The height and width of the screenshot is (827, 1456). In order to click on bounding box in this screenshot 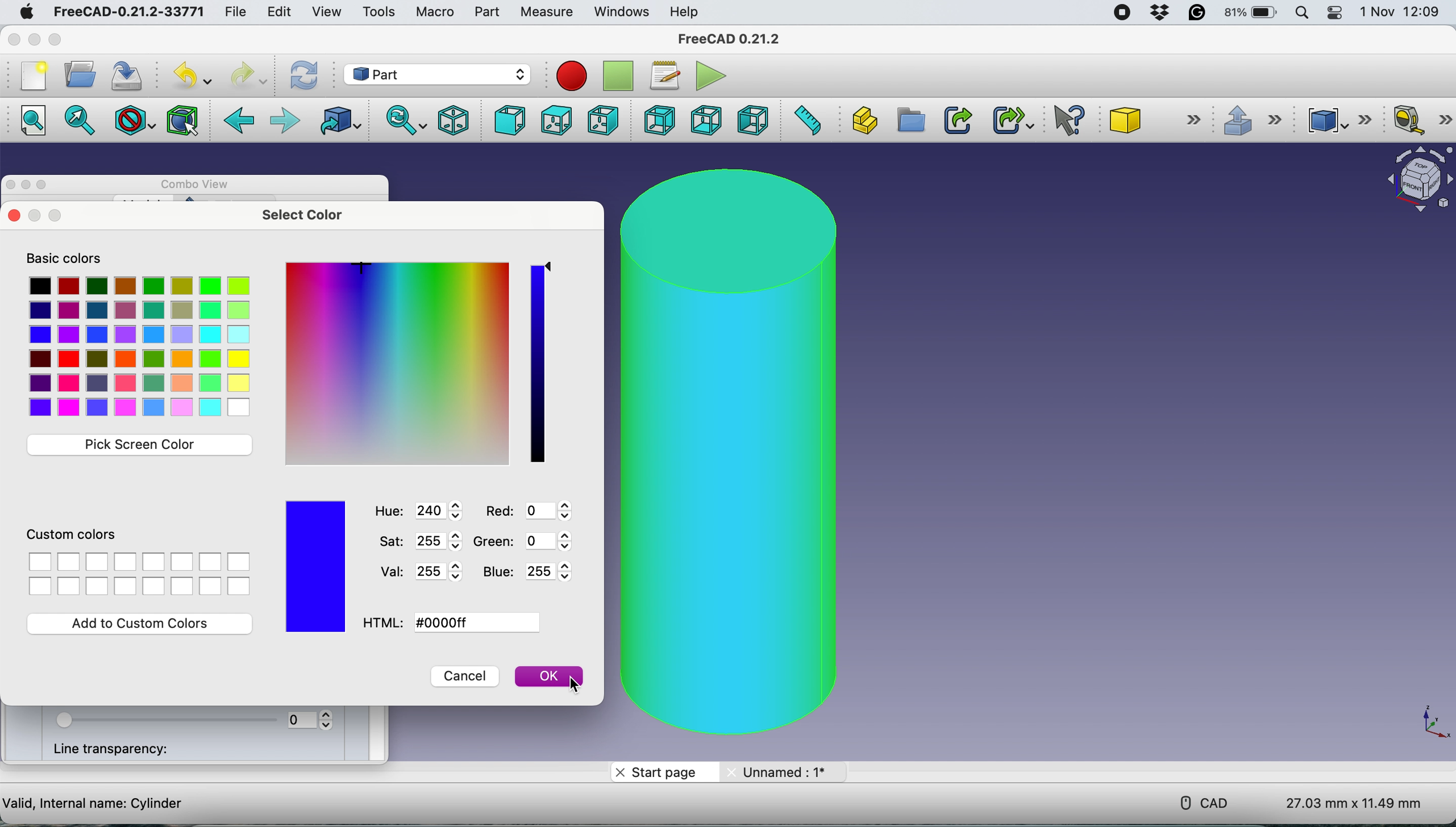, I will do `click(182, 120)`.